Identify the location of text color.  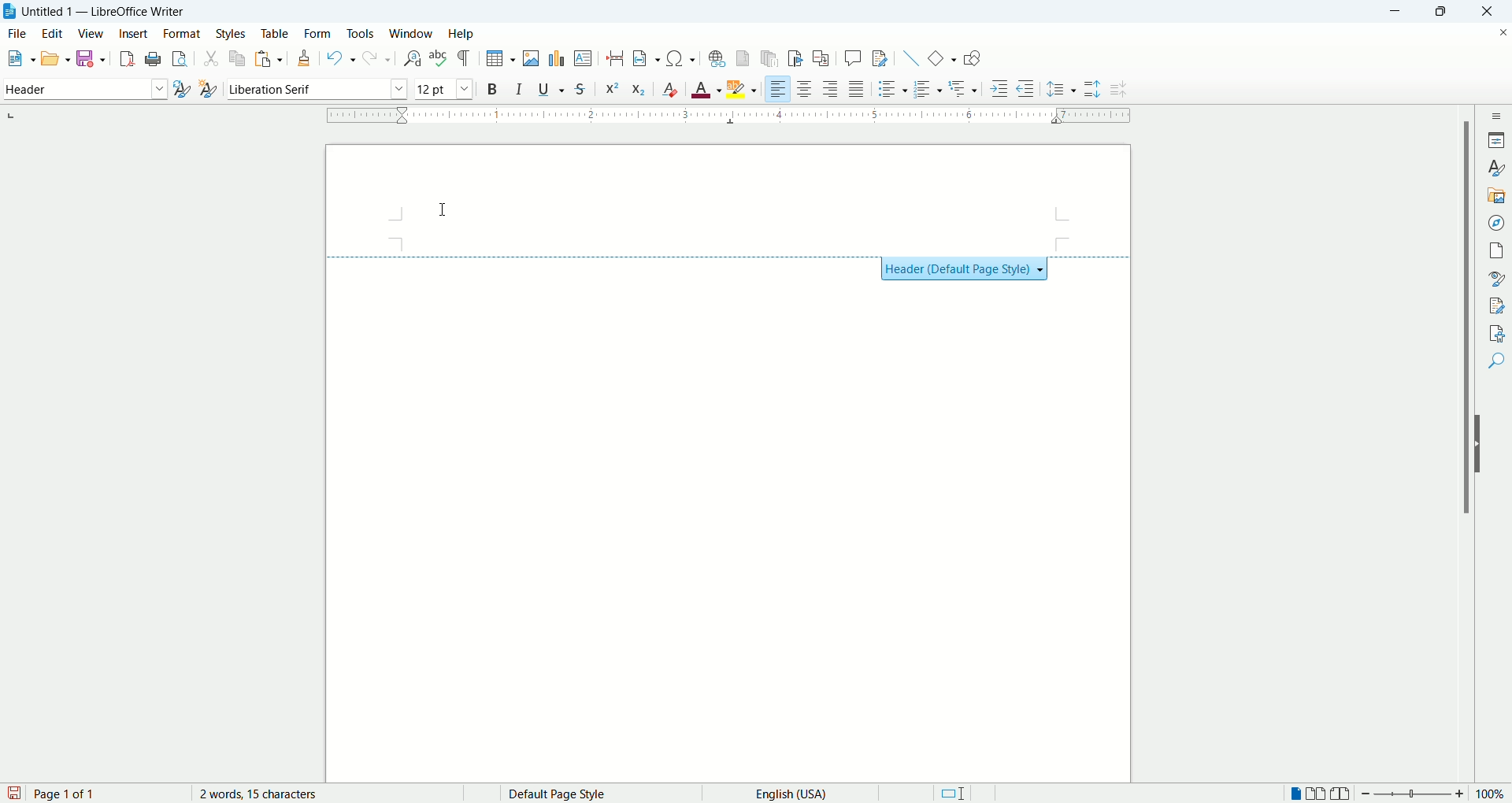
(699, 88).